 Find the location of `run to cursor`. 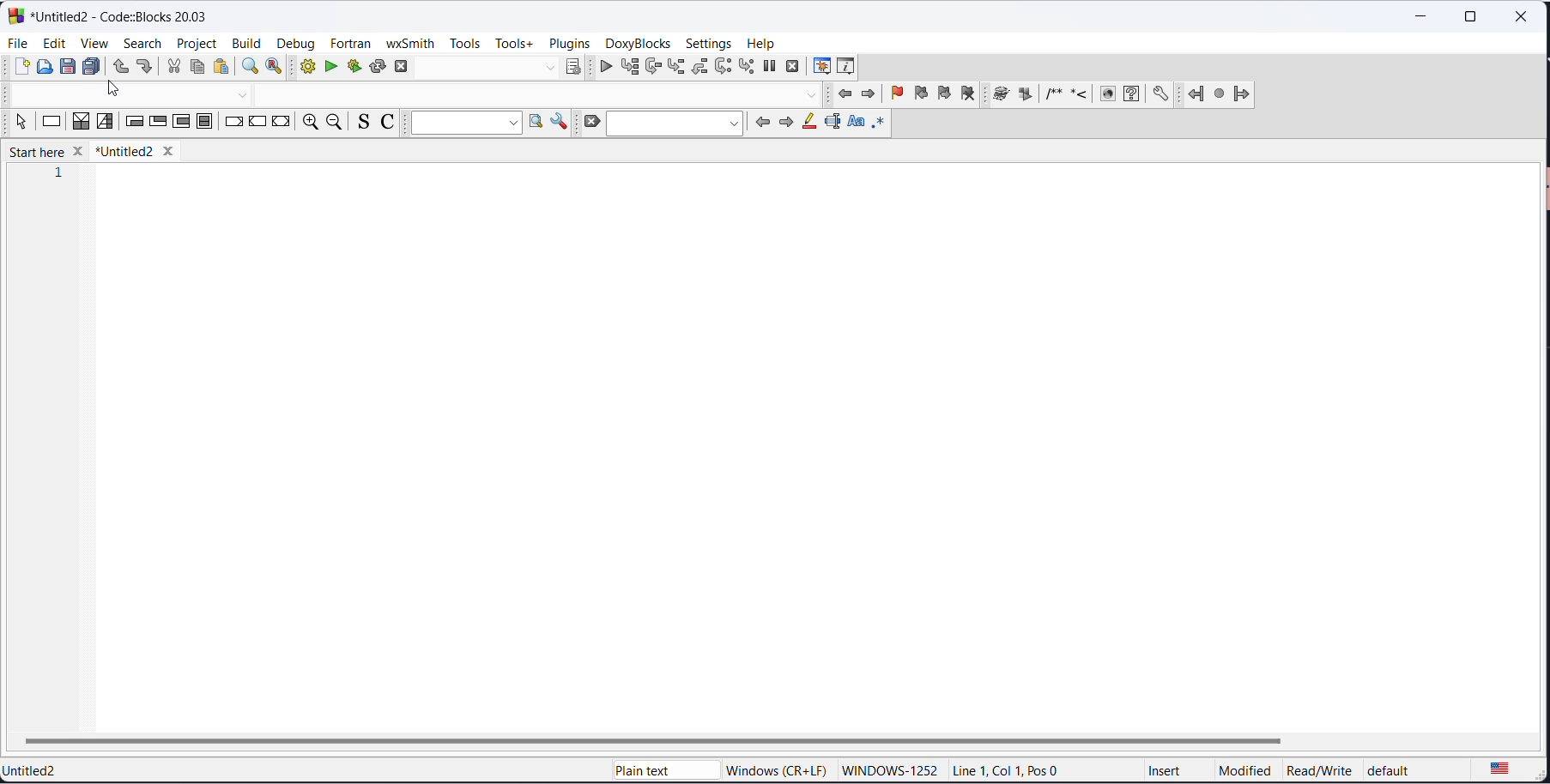

run to cursor is located at coordinates (630, 71).